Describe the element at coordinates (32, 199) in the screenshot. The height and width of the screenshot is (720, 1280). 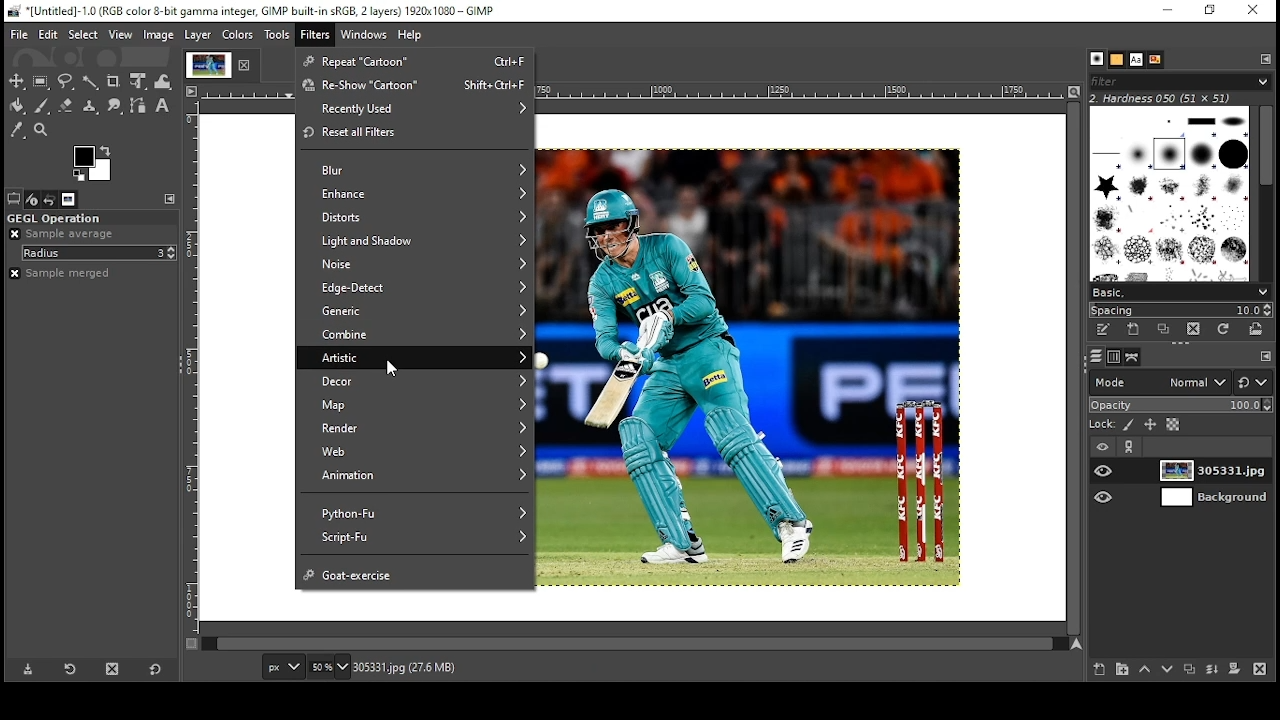
I see `device status` at that location.